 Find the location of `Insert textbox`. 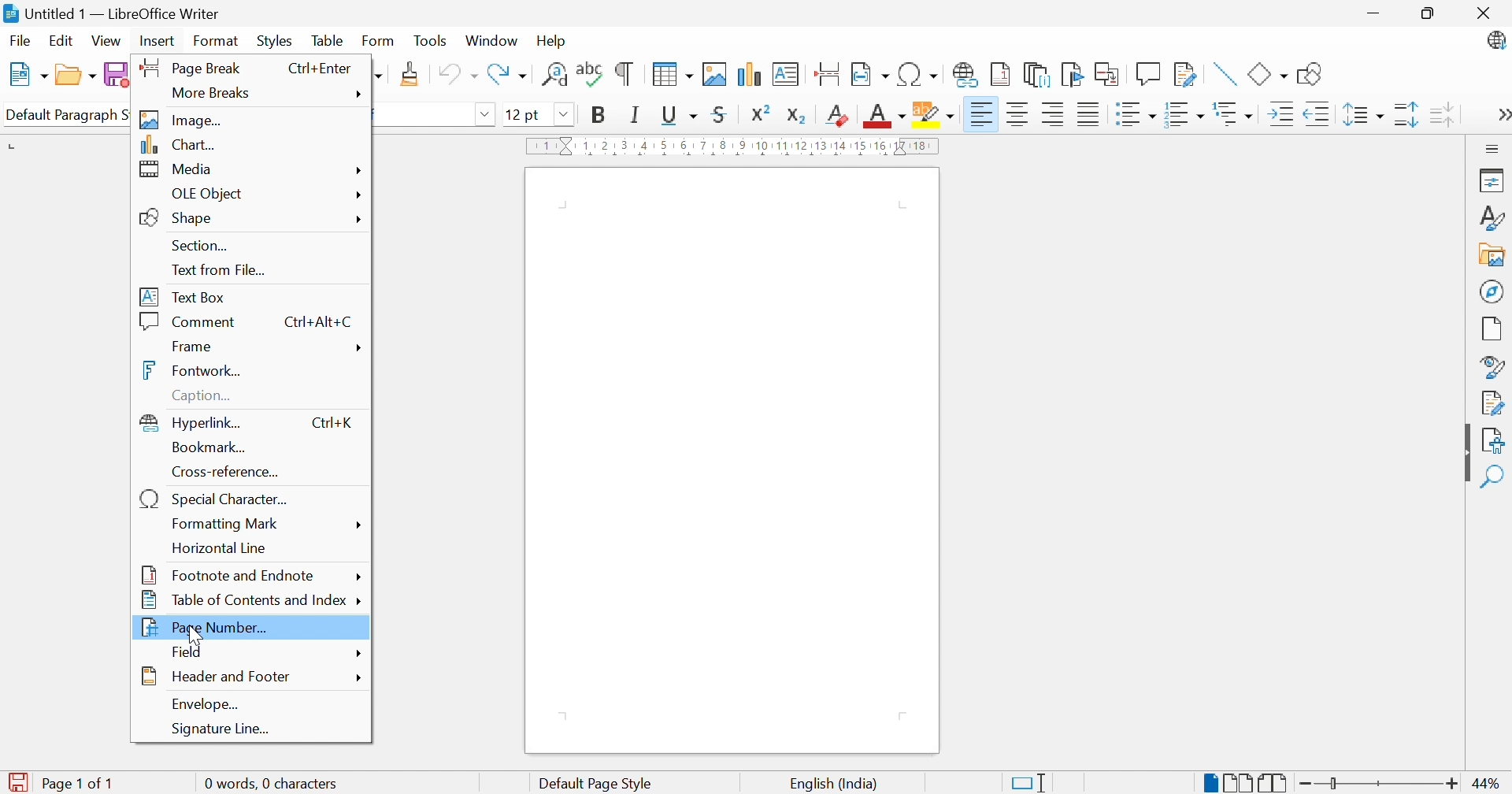

Insert textbox is located at coordinates (784, 74).